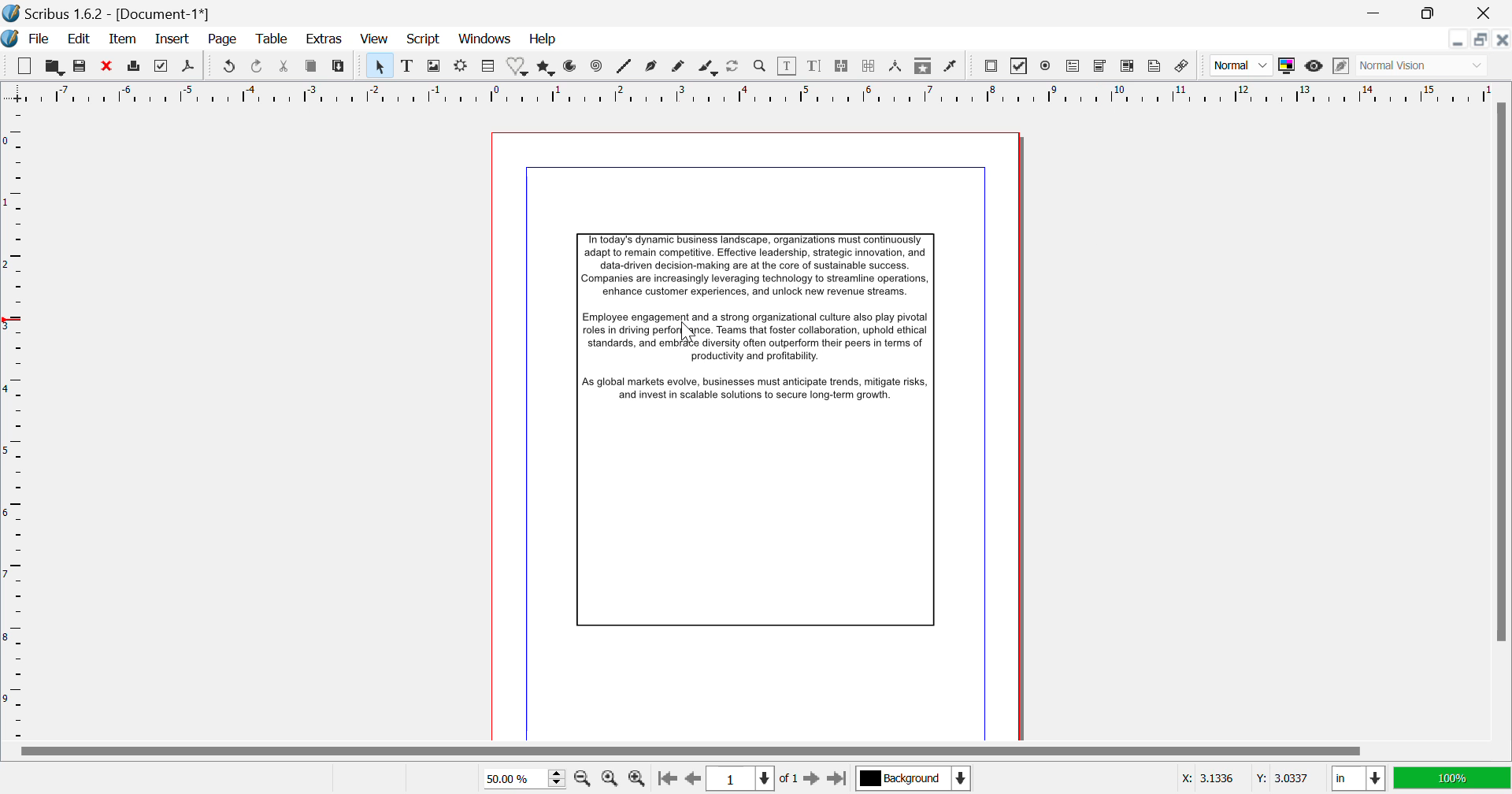  I want to click on File, so click(38, 39).